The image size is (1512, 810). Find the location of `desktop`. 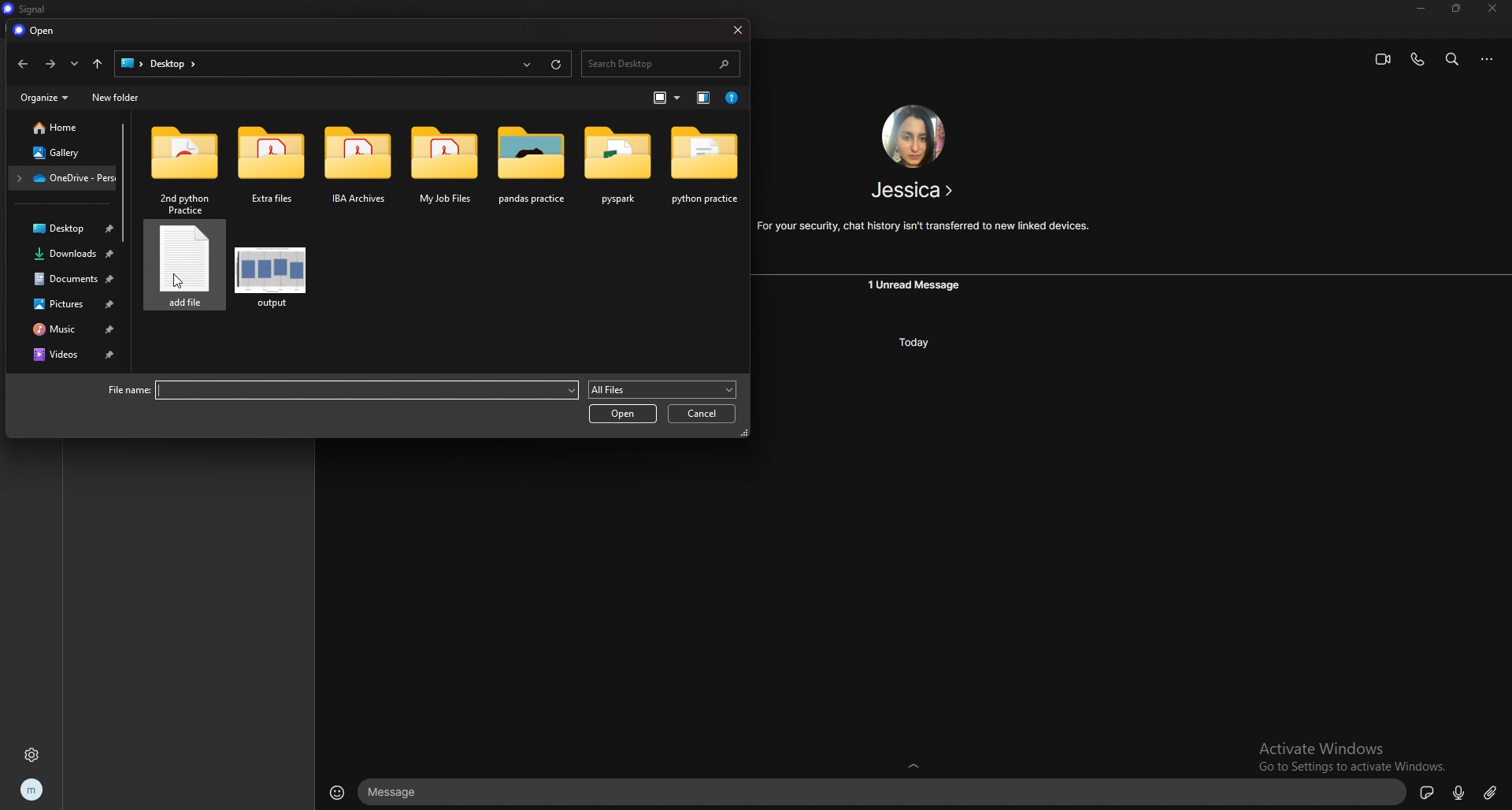

desktop is located at coordinates (128, 62).